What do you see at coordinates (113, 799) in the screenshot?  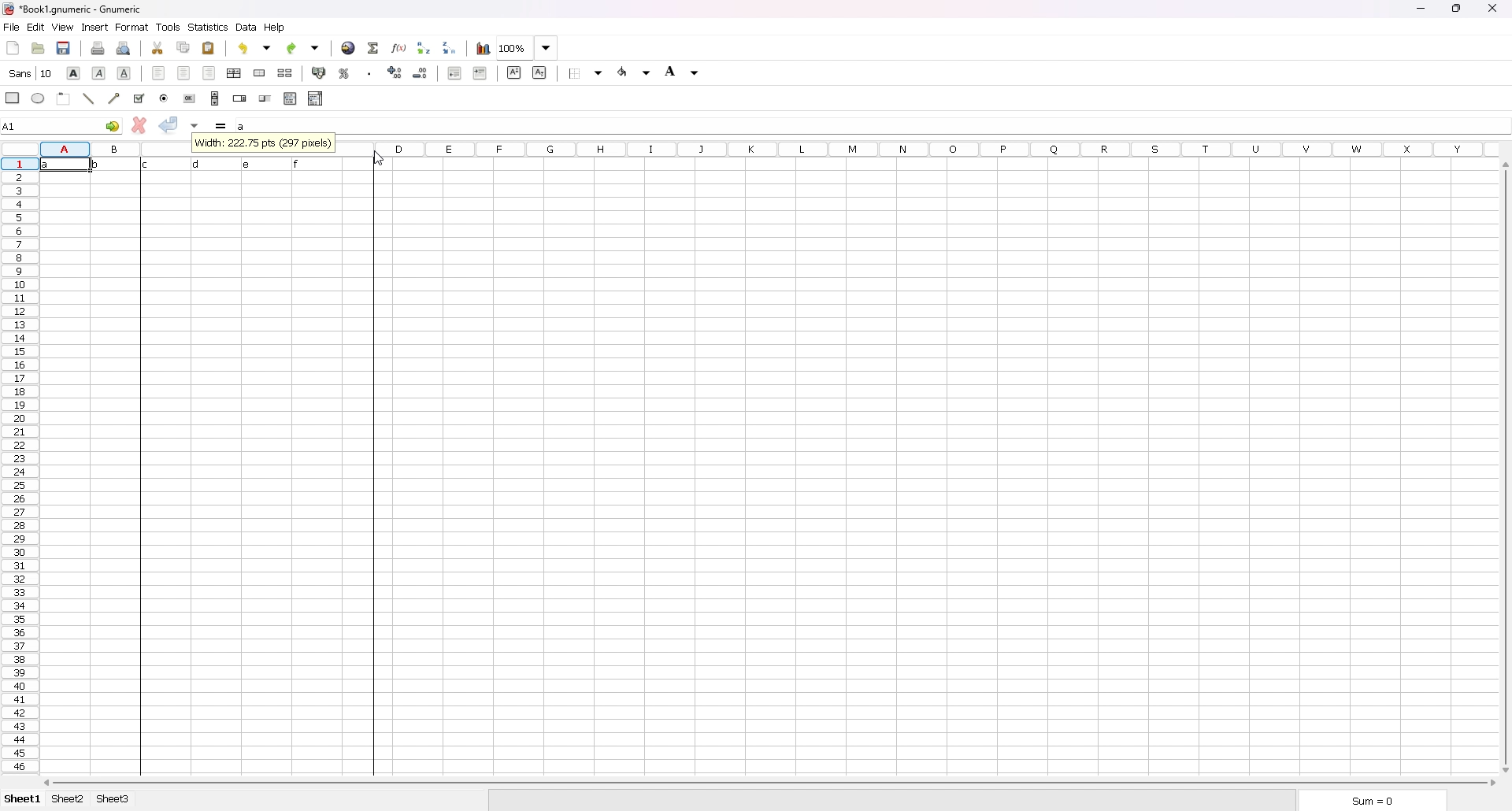 I see `sheet 3` at bounding box center [113, 799].